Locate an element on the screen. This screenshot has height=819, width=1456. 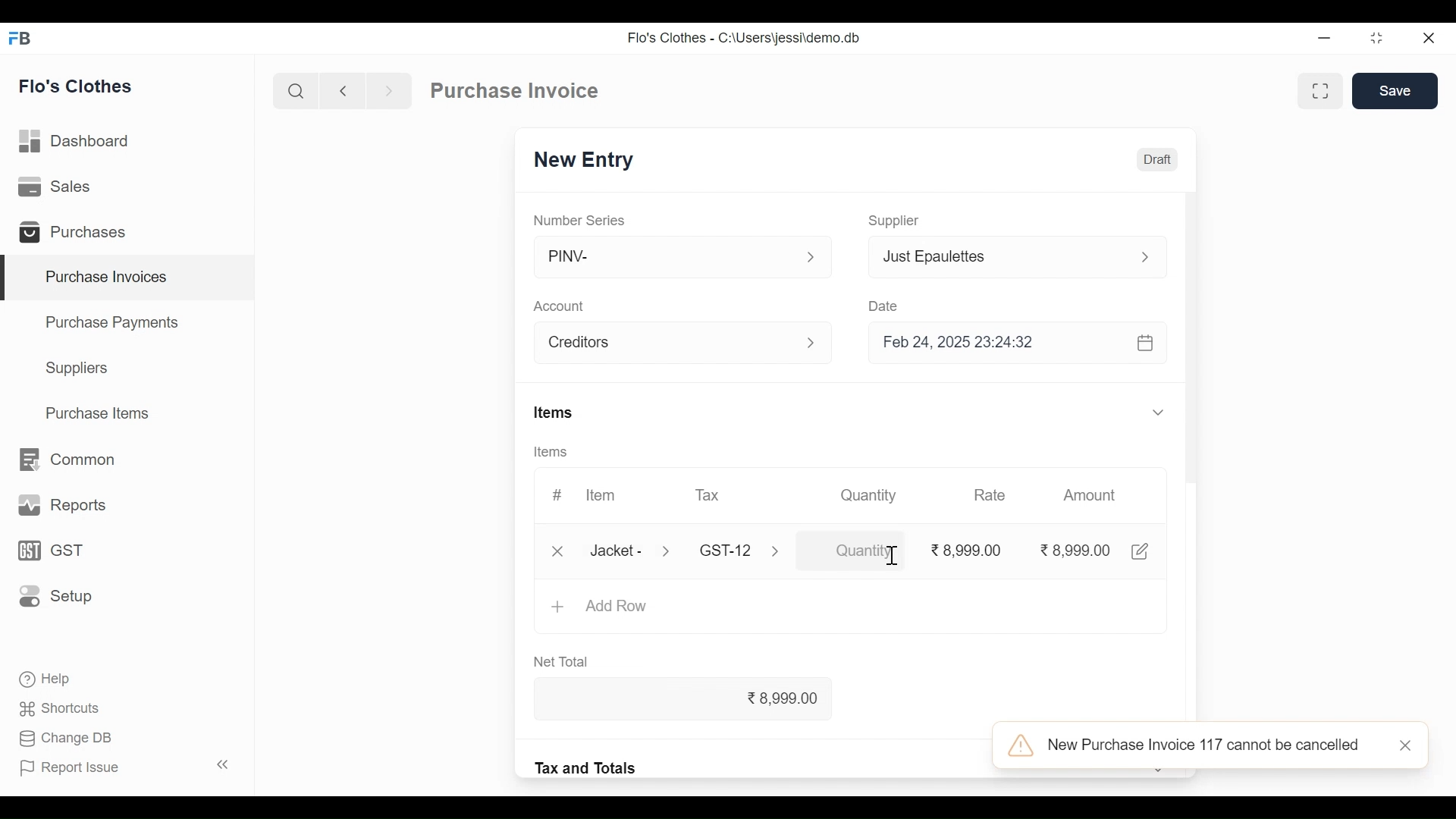
minimize is located at coordinates (1326, 39).